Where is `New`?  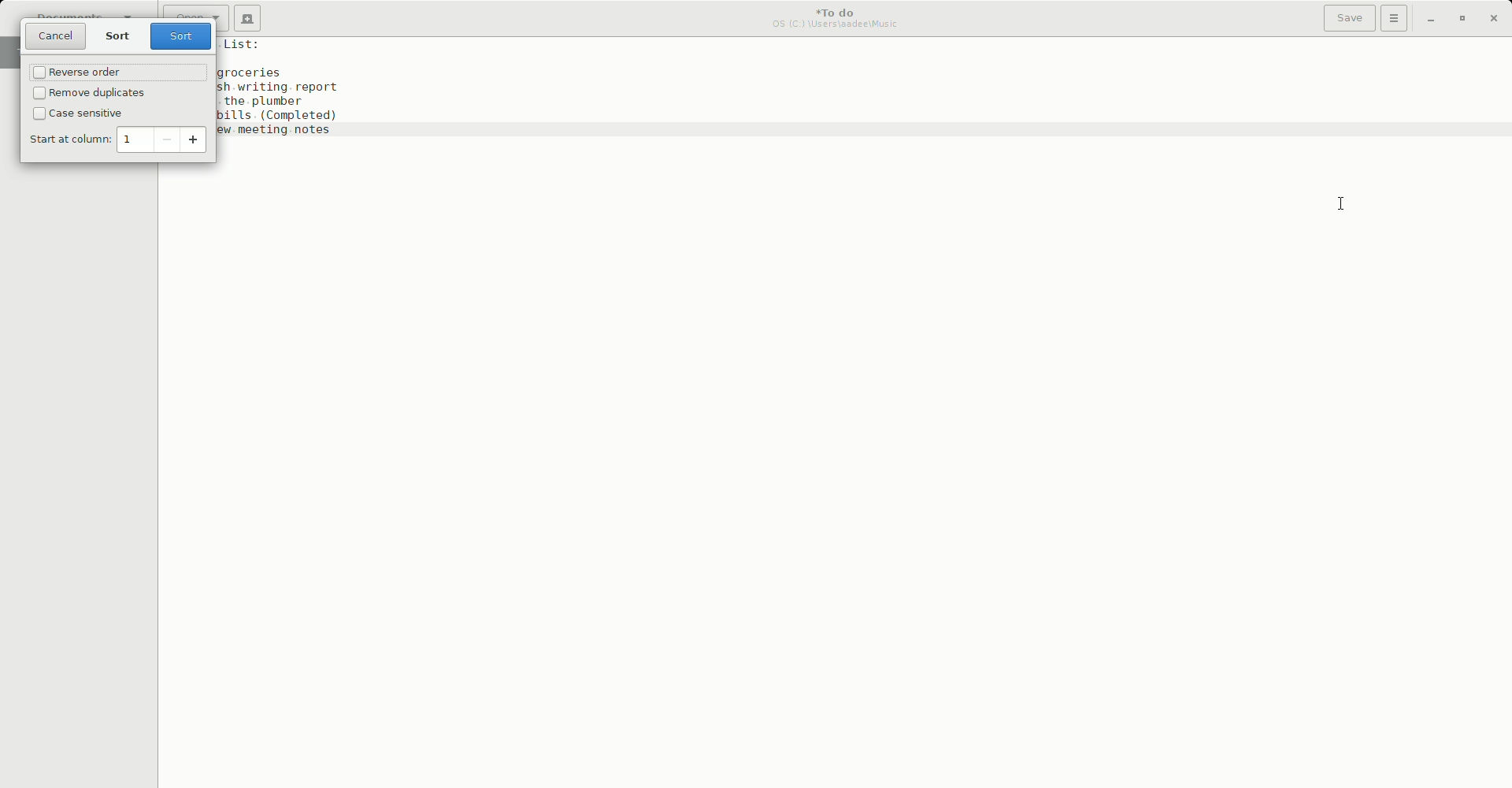 New is located at coordinates (250, 19).